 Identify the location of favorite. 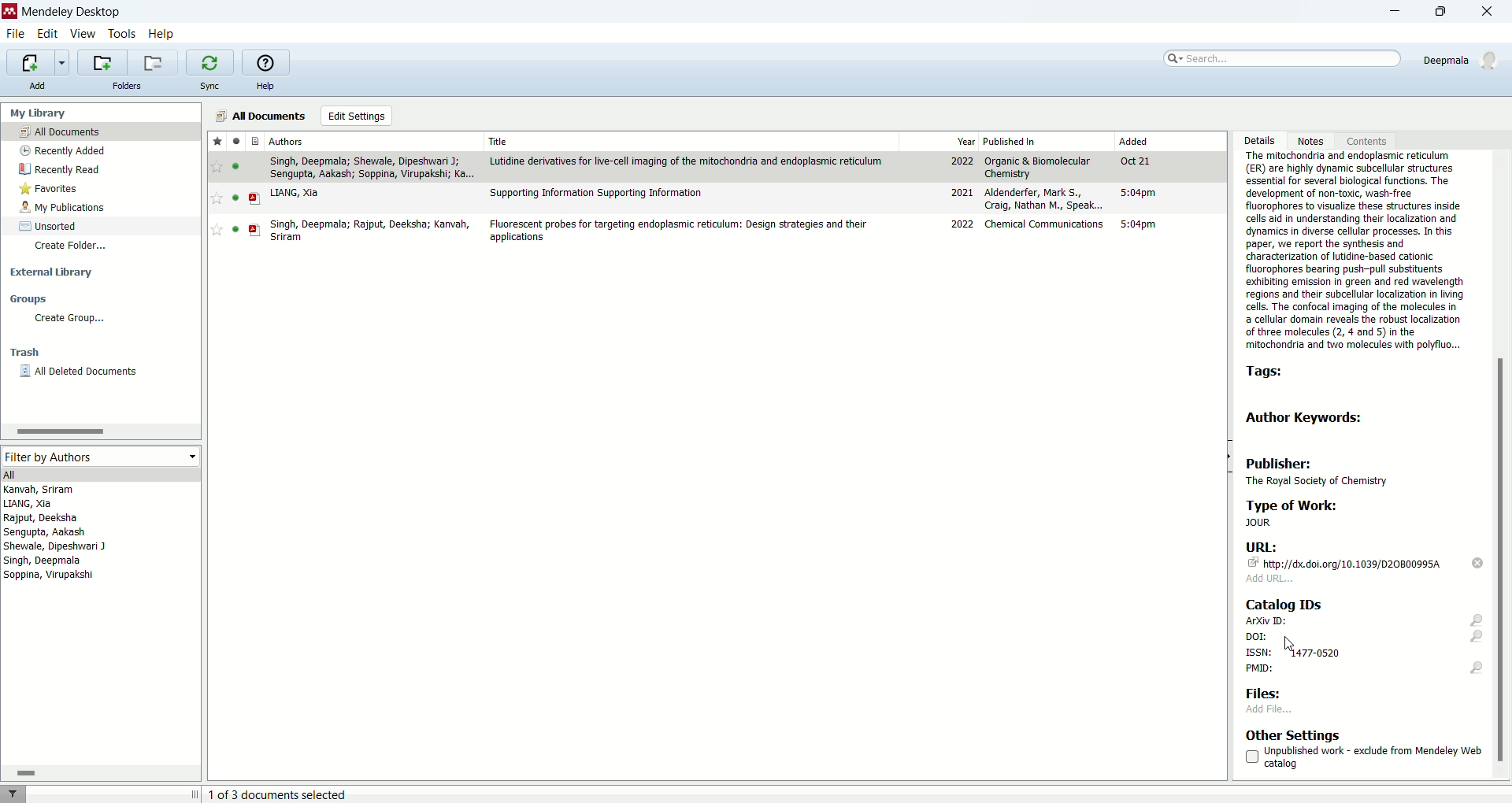
(217, 167).